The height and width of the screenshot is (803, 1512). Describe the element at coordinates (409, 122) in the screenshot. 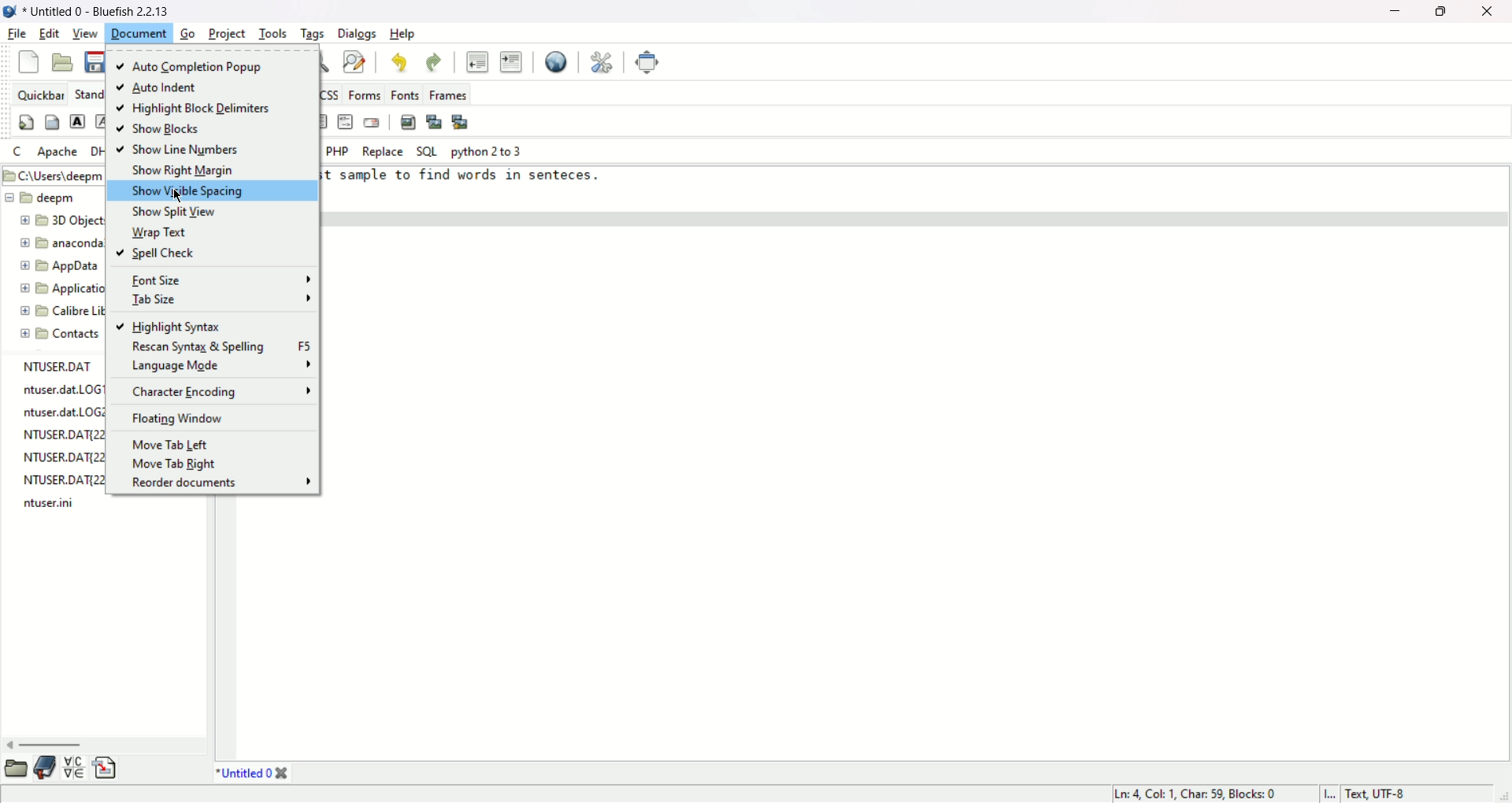

I see `insert image` at that location.